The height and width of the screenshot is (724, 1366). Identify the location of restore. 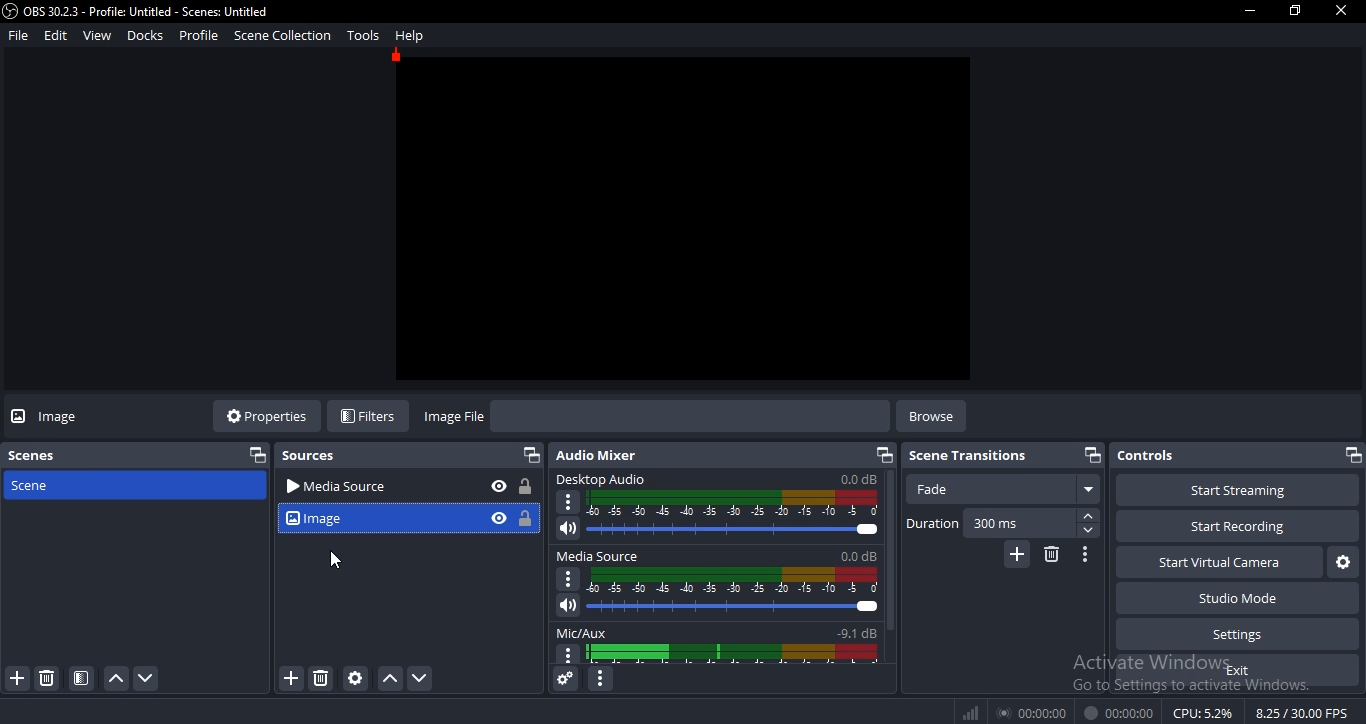
(883, 455).